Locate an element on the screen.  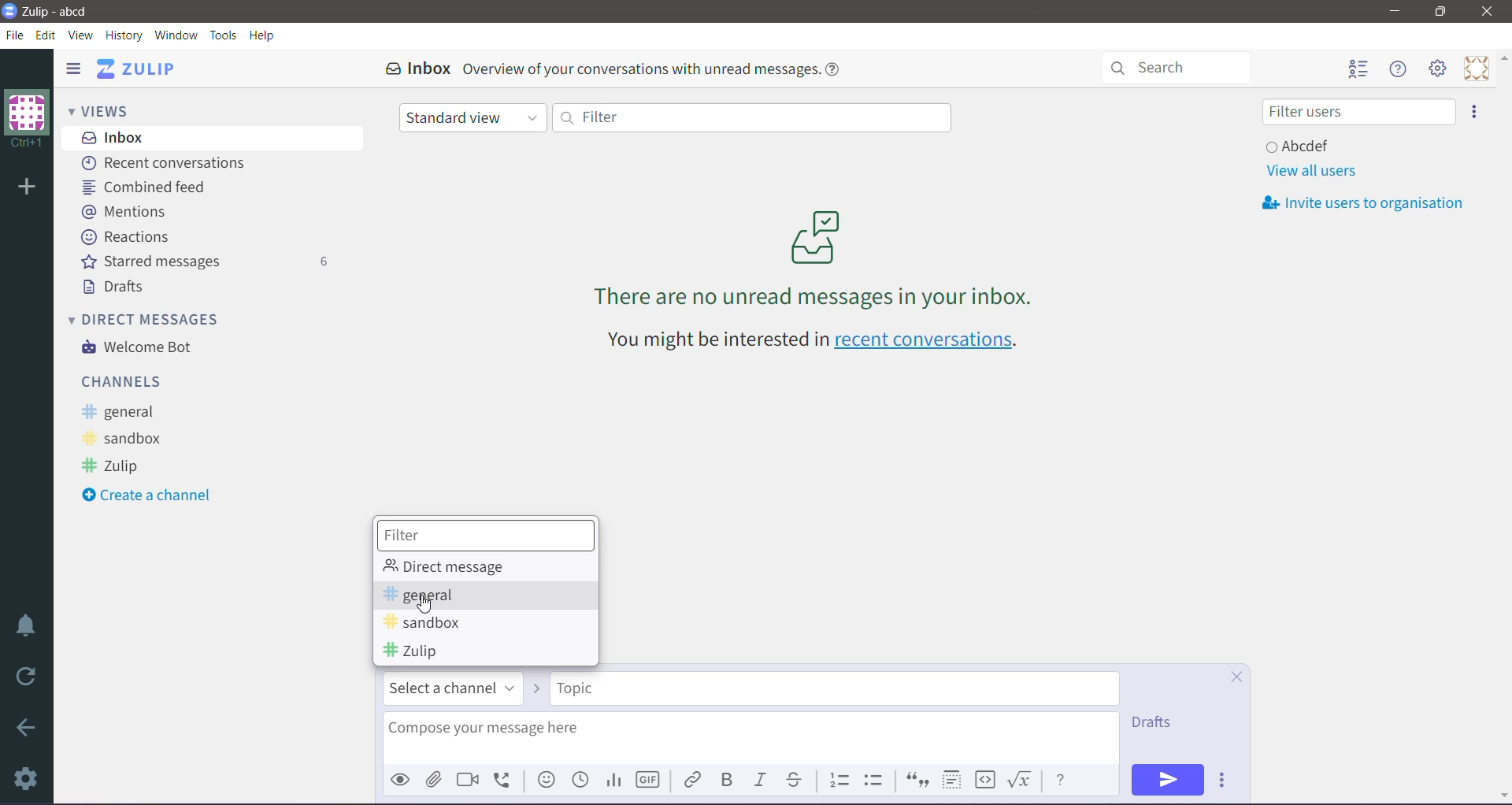
History is located at coordinates (125, 36).